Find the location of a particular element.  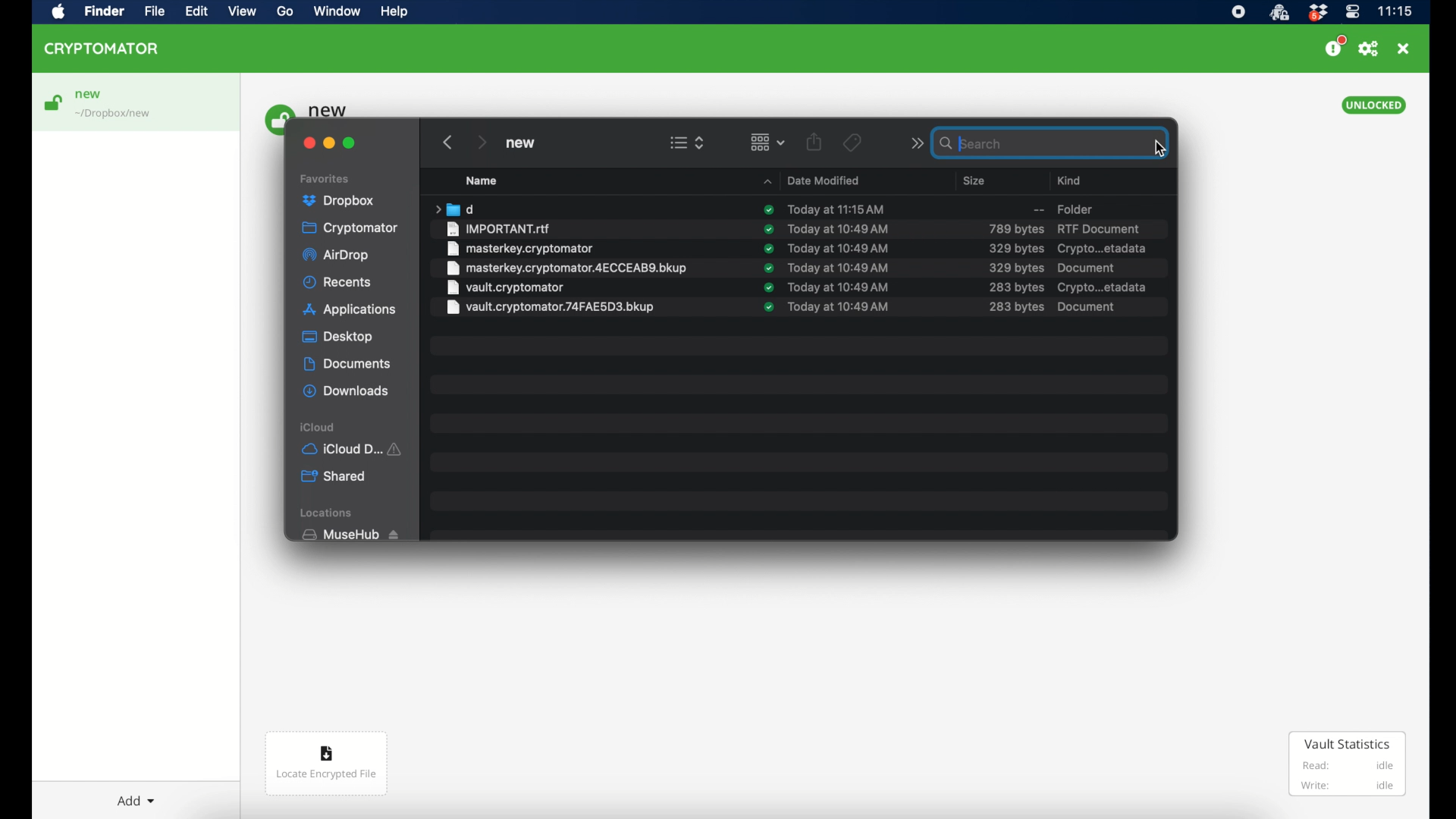

maximize is located at coordinates (350, 143).